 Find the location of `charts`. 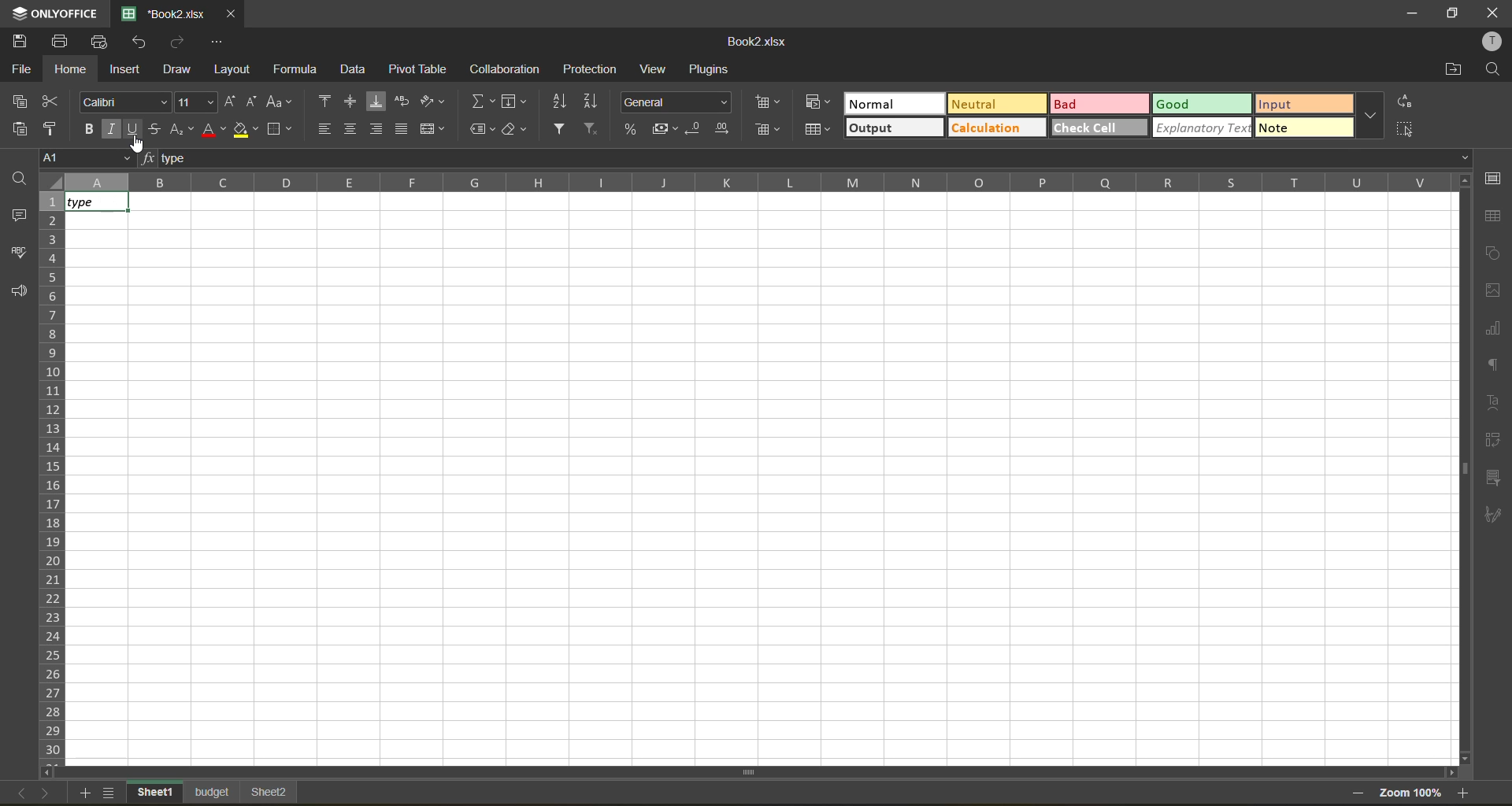

charts is located at coordinates (1492, 327).